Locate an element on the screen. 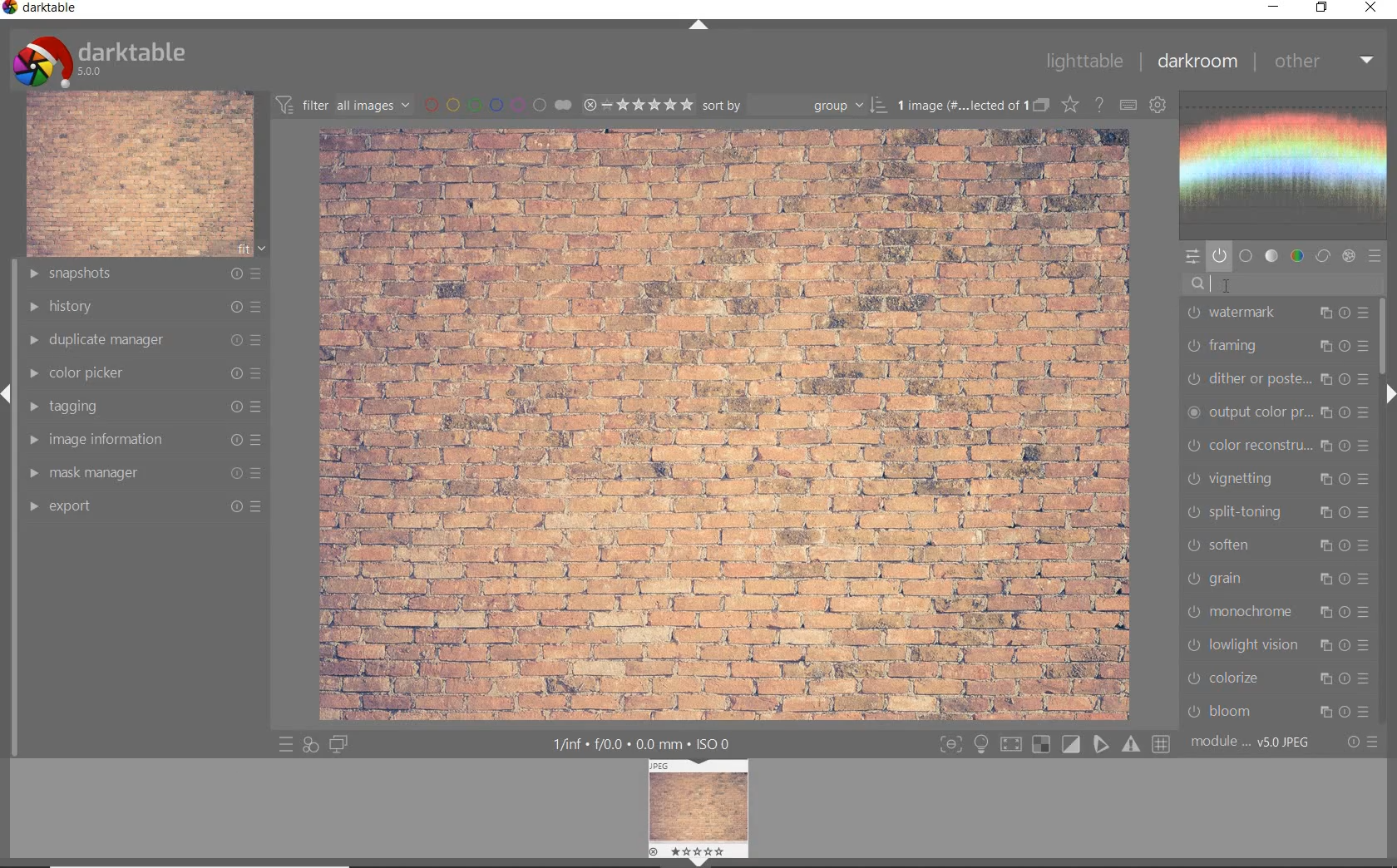 The image size is (1397, 868). color reconstruction is located at coordinates (1278, 446).